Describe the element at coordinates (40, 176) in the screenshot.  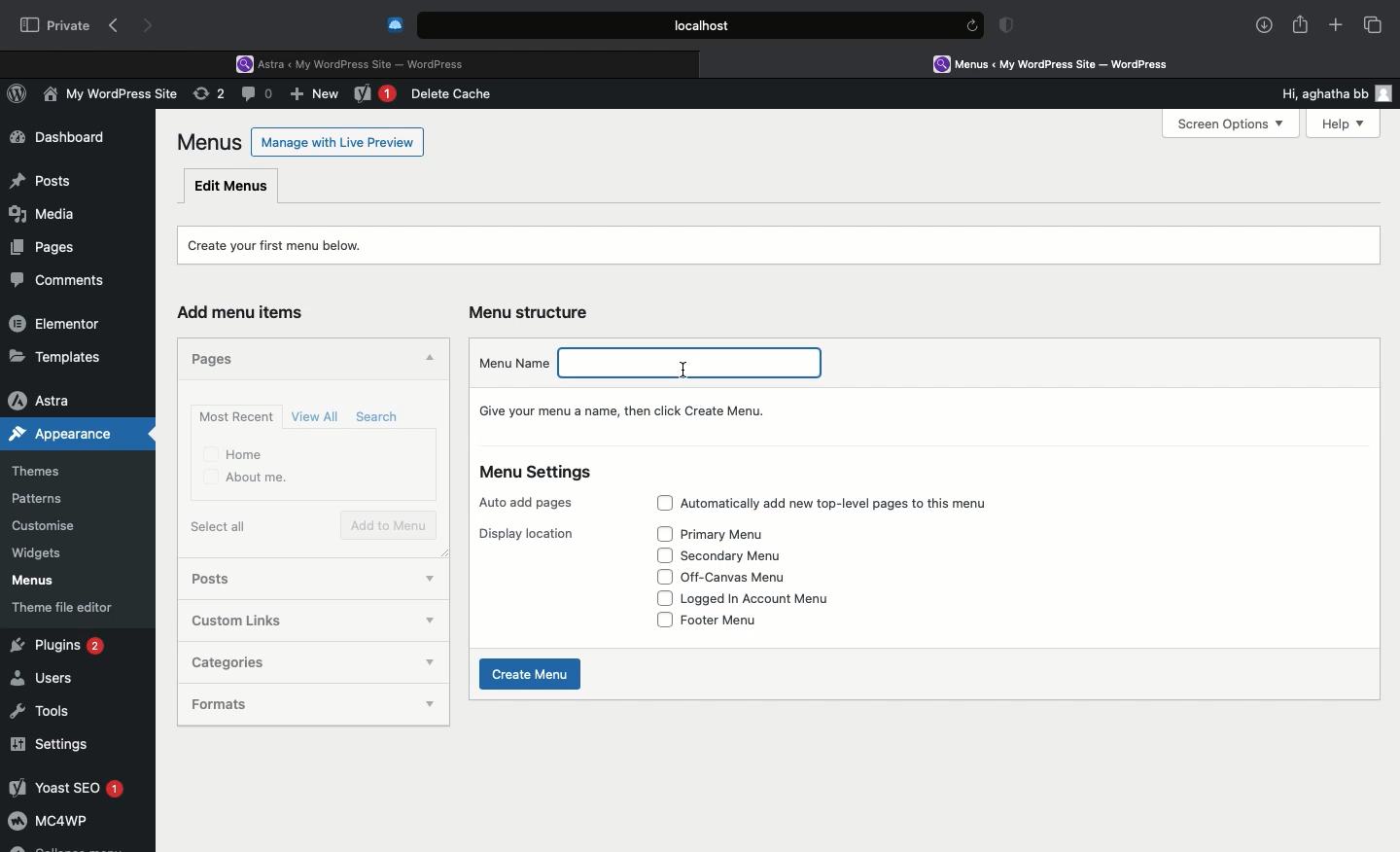
I see `Posts` at that location.